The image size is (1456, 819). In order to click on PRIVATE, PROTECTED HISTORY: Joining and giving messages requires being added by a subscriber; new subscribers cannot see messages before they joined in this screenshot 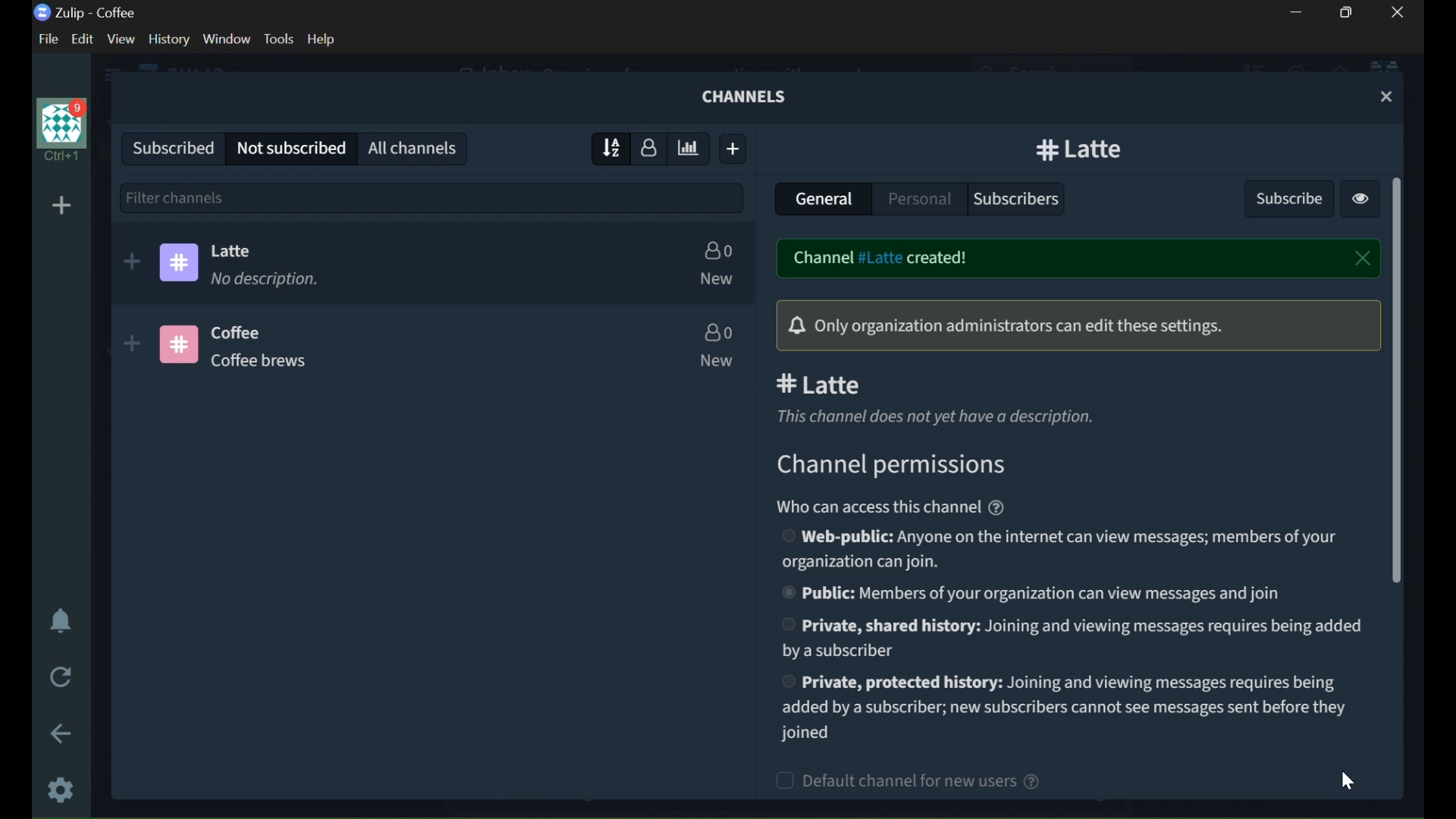, I will do `click(1065, 708)`.